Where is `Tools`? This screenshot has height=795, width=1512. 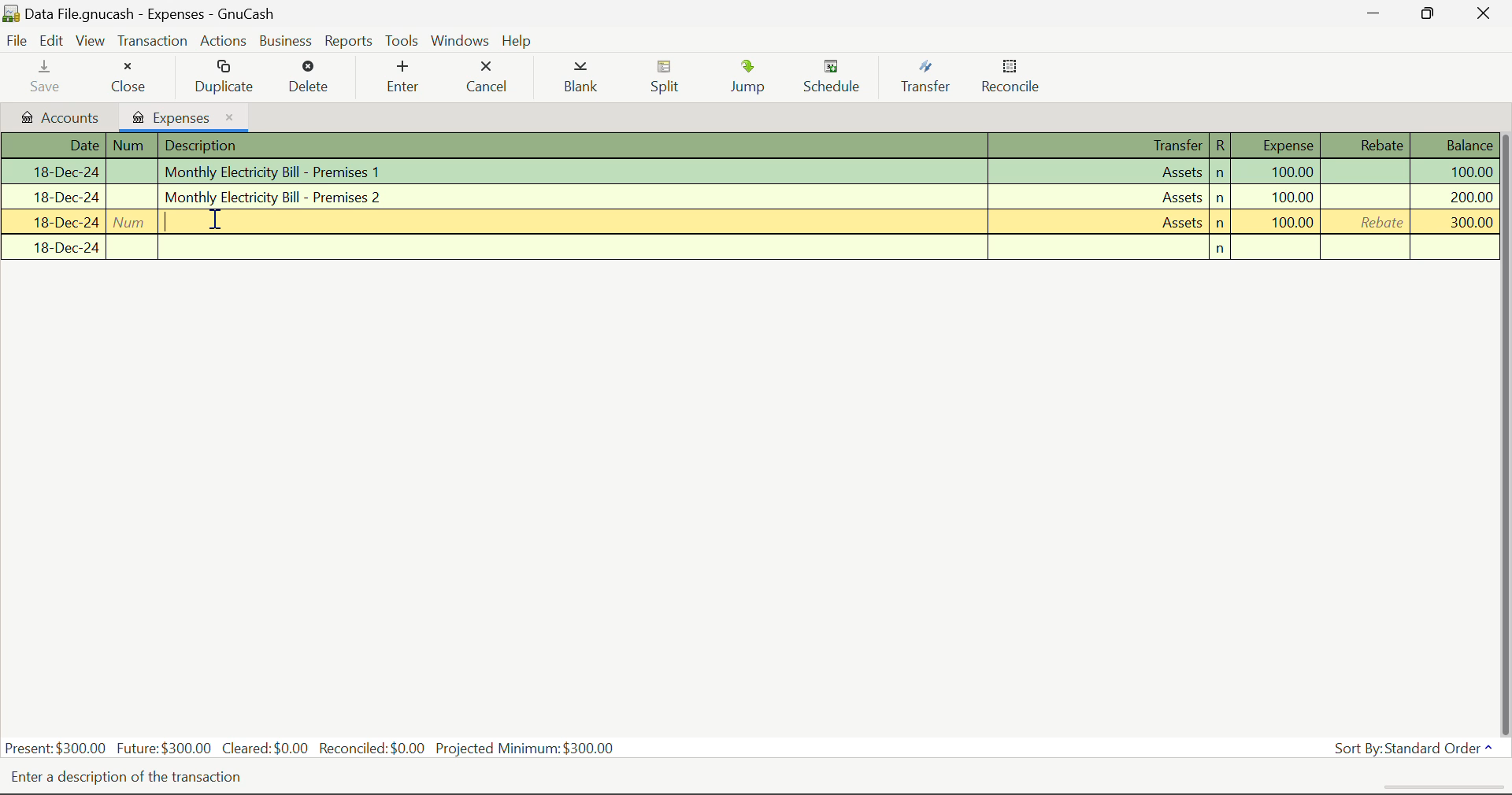 Tools is located at coordinates (402, 42).